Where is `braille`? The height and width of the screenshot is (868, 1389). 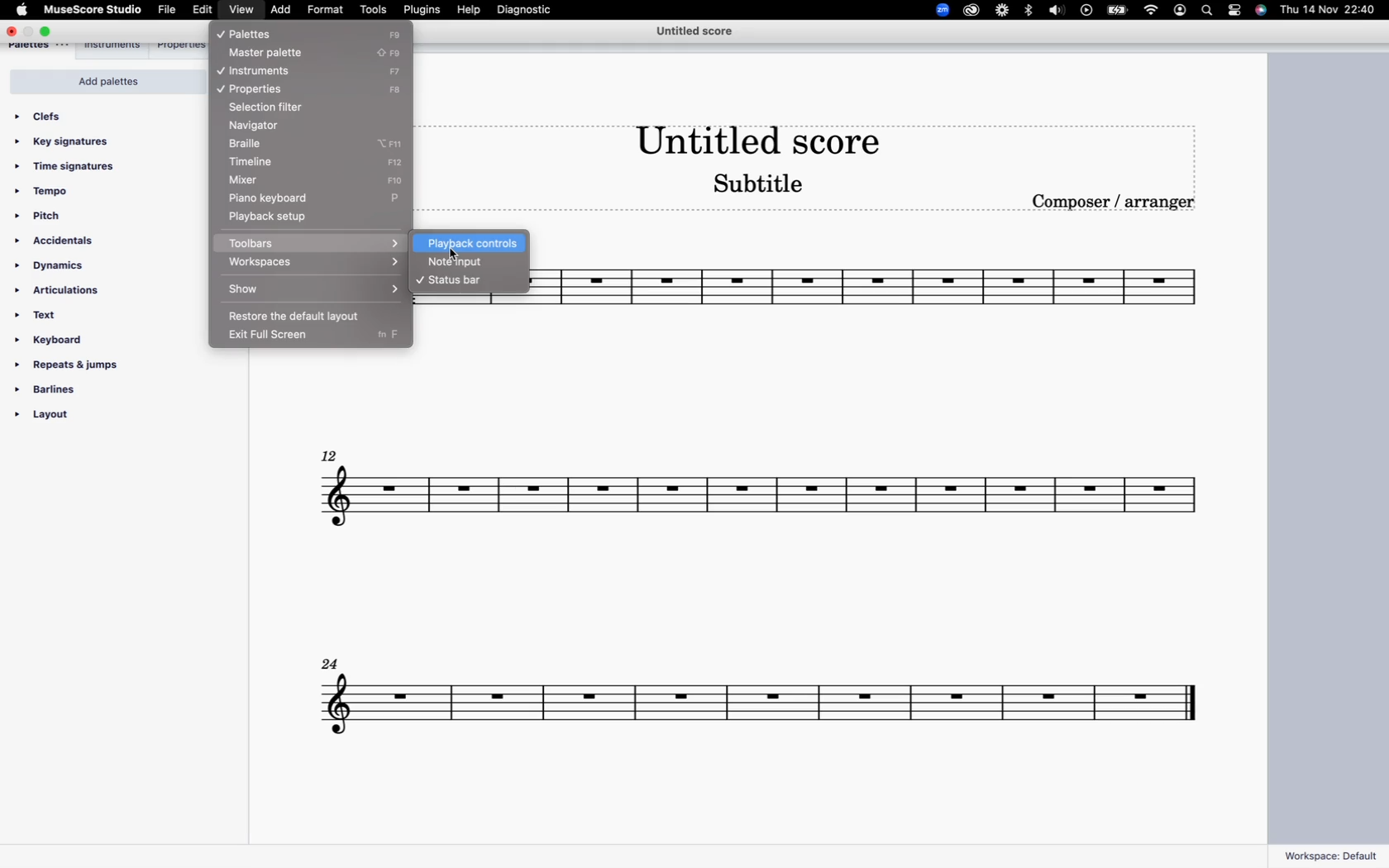 braille is located at coordinates (272, 142).